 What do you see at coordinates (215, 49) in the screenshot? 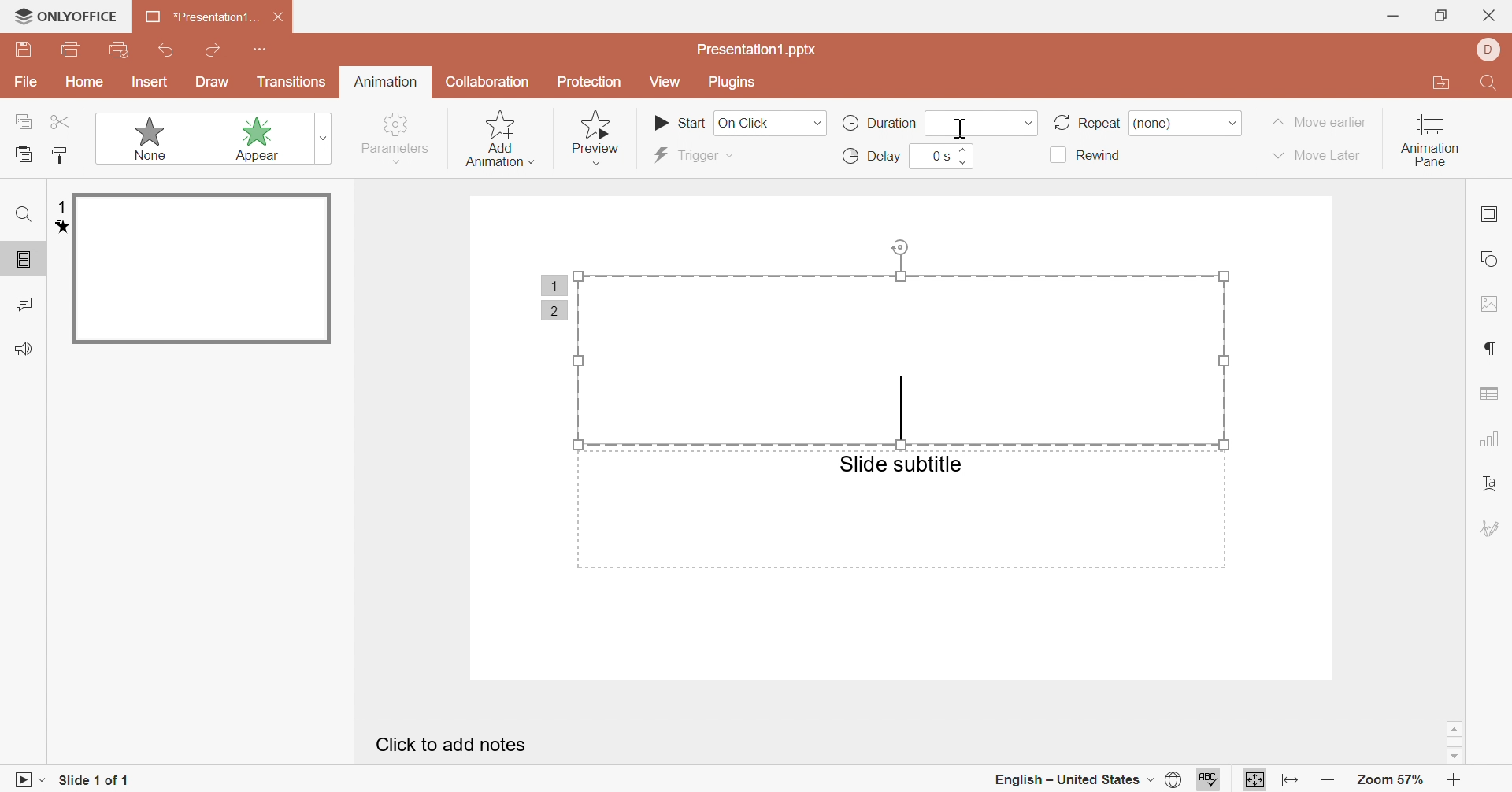
I see `redo` at bounding box center [215, 49].